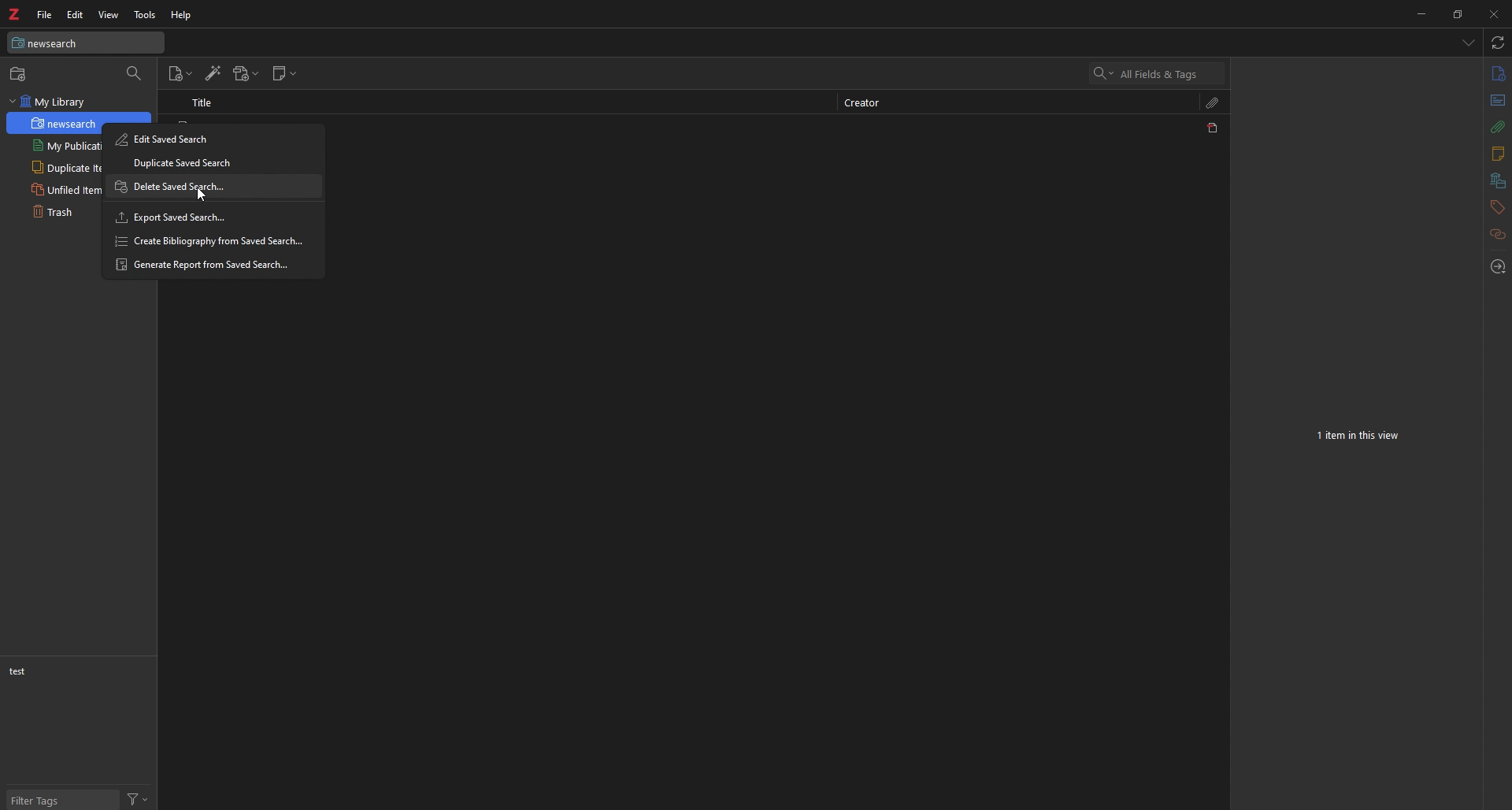  I want to click on mouse cursor, so click(203, 195).